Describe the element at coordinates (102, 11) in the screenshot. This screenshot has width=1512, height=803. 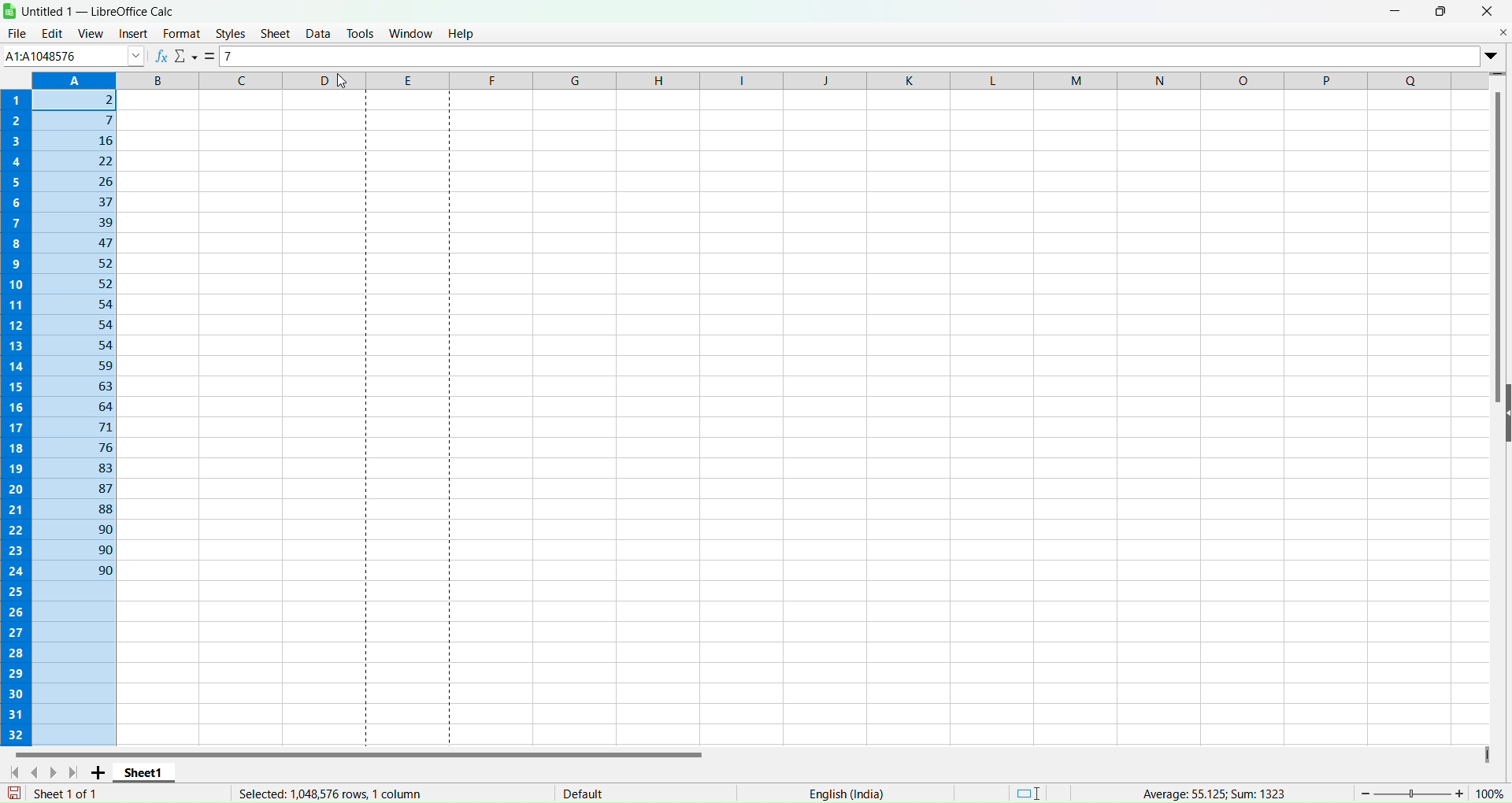
I see `Title` at that location.